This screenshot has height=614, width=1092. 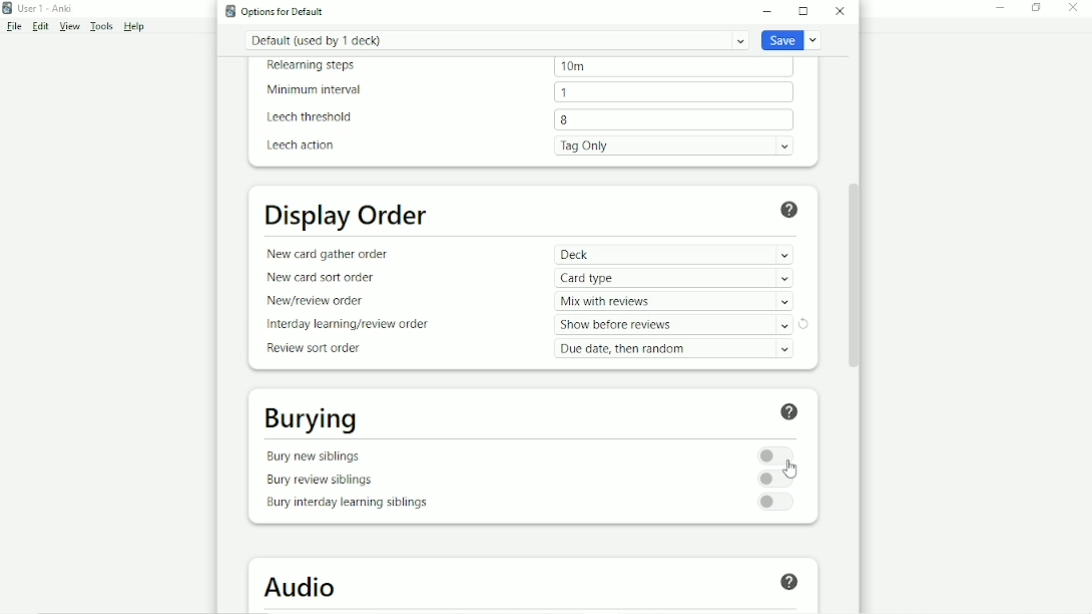 What do you see at coordinates (567, 121) in the screenshot?
I see `8` at bounding box center [567, 121].